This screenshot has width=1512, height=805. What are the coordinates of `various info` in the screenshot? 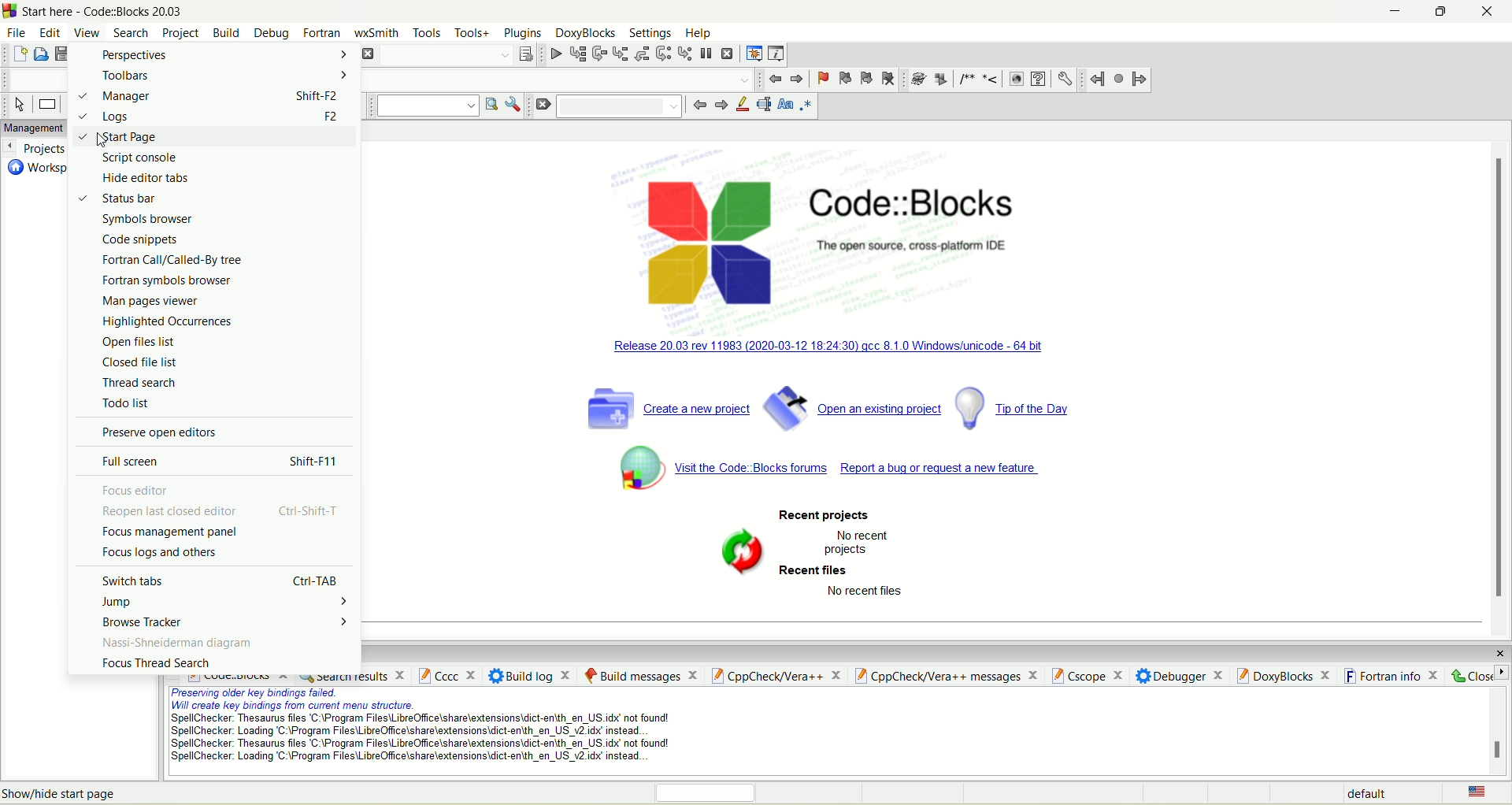 It's located at (774, 54).